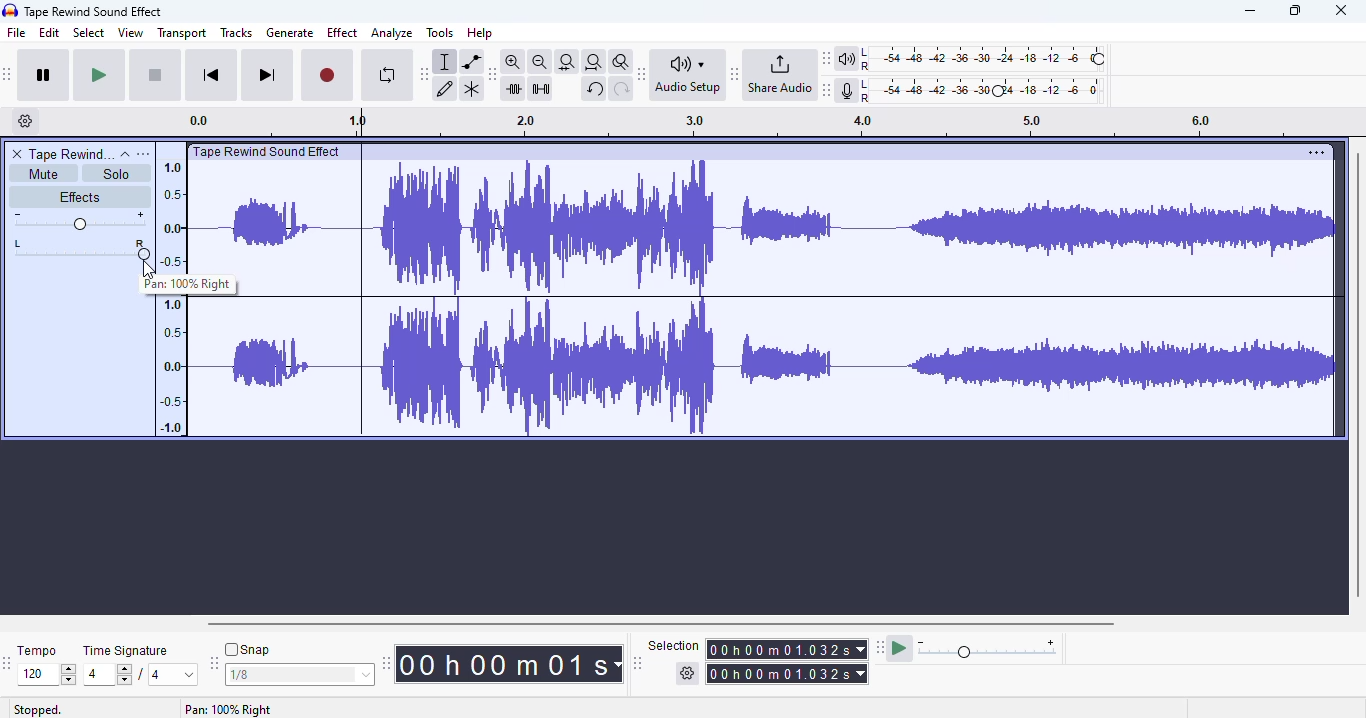  I want to click on enable looping, so click(388, 75).